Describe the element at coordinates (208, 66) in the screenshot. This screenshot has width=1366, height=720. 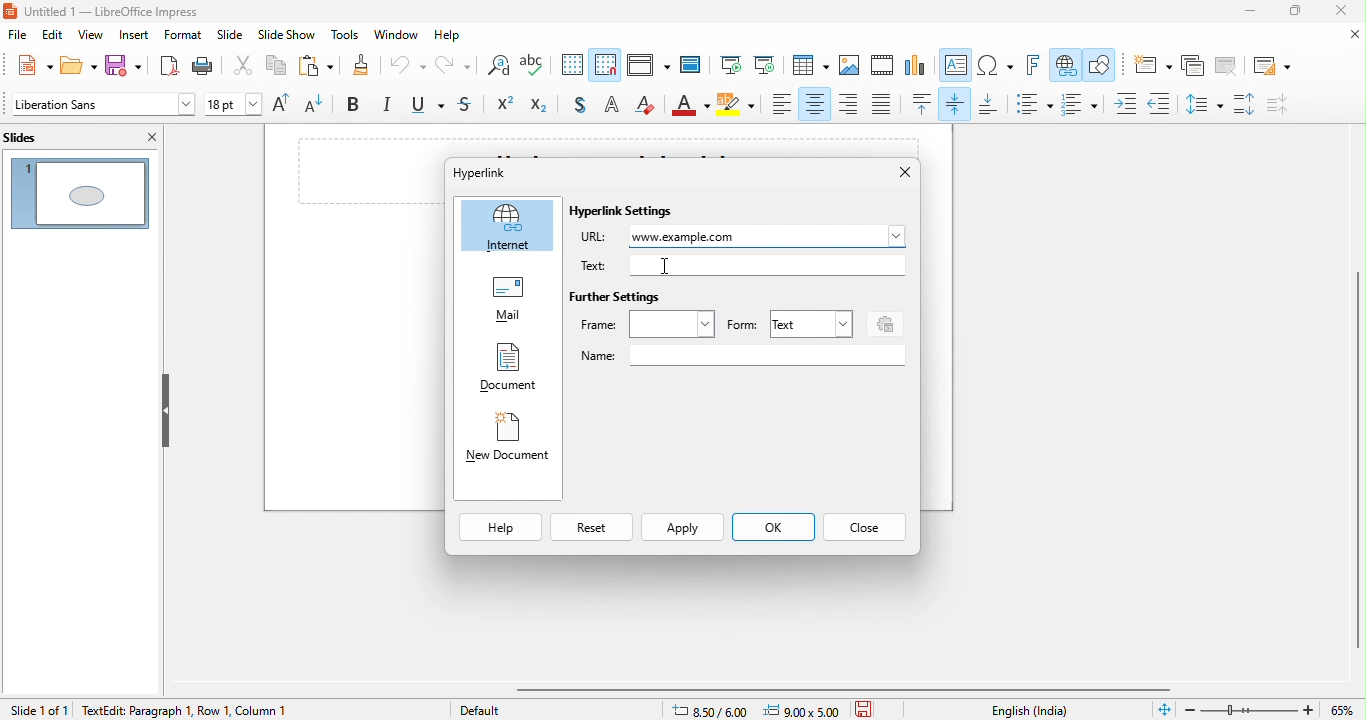
I see `print` at that location.